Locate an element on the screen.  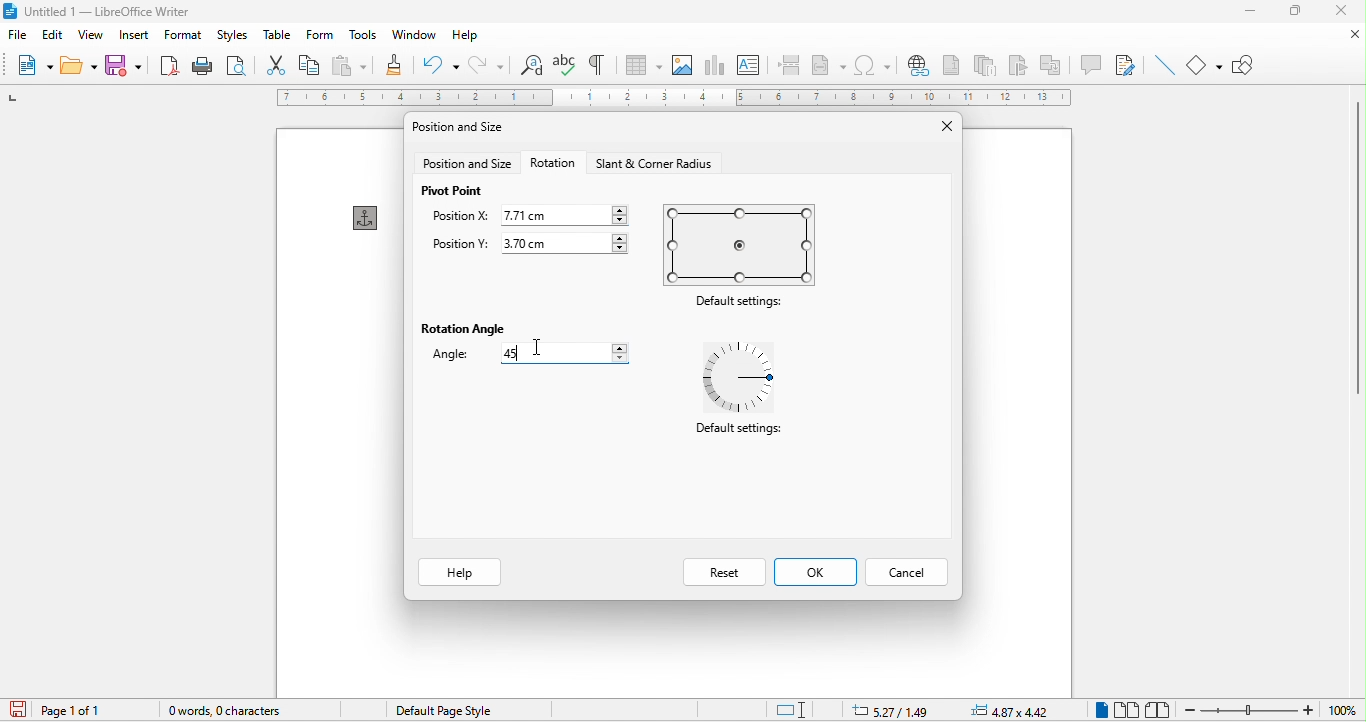
clone formatting is located at coordinates (392, 66).